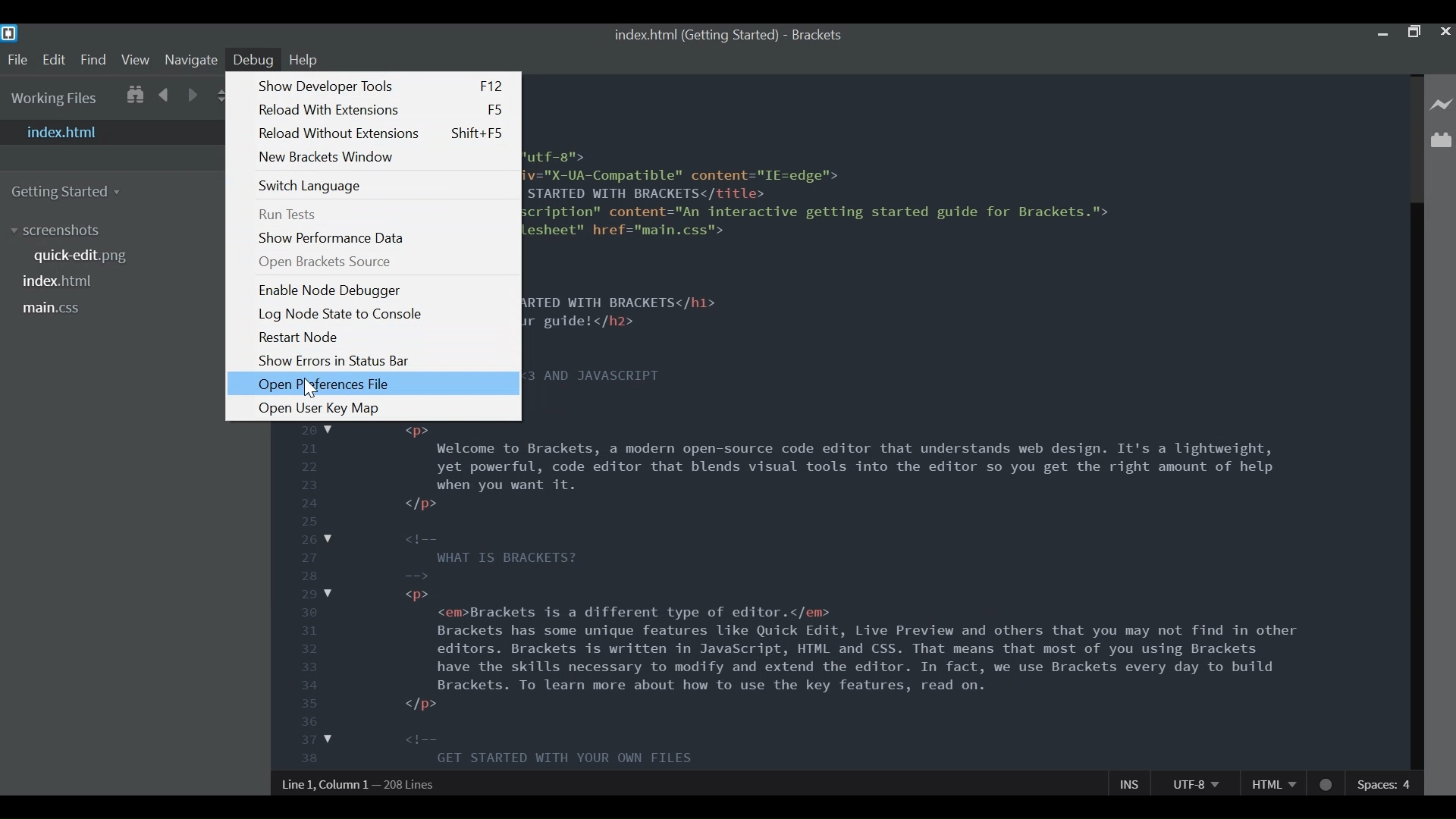 Image resolution: width=1456 pixels, height=819 pixels. I want to click on Find, so click(94, 59).